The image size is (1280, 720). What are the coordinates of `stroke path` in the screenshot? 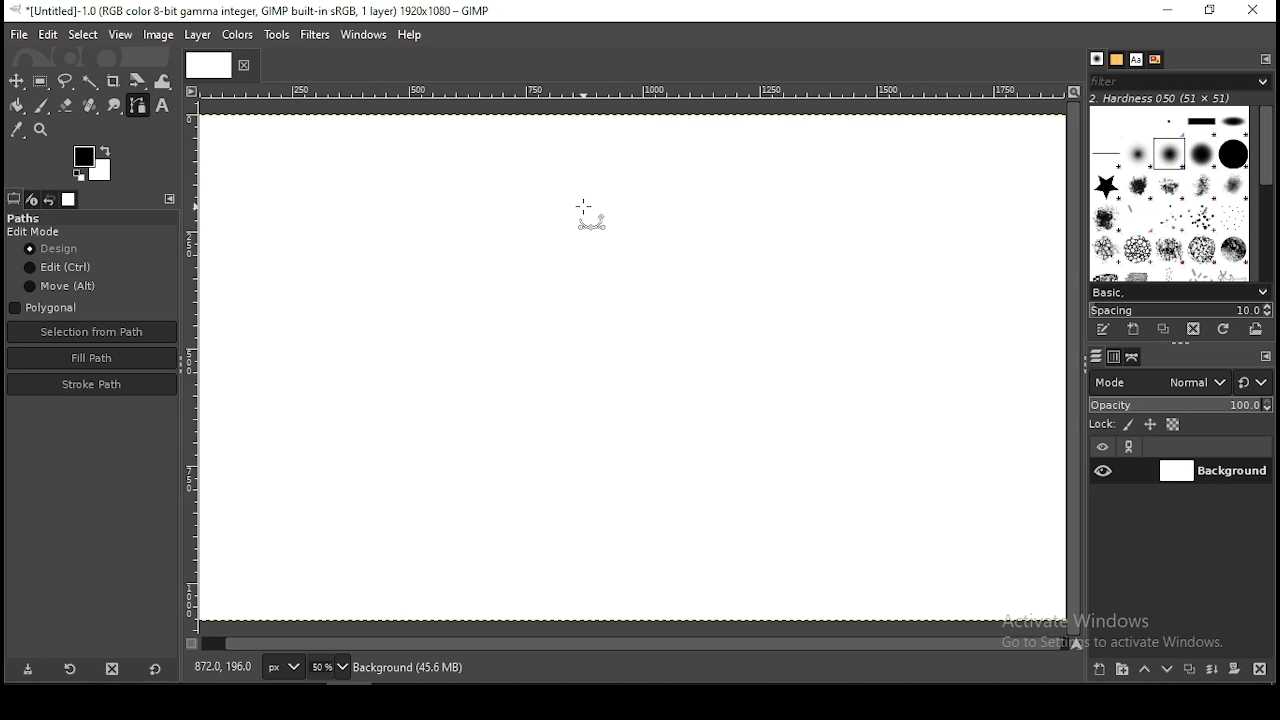 It's located at (92, 384).